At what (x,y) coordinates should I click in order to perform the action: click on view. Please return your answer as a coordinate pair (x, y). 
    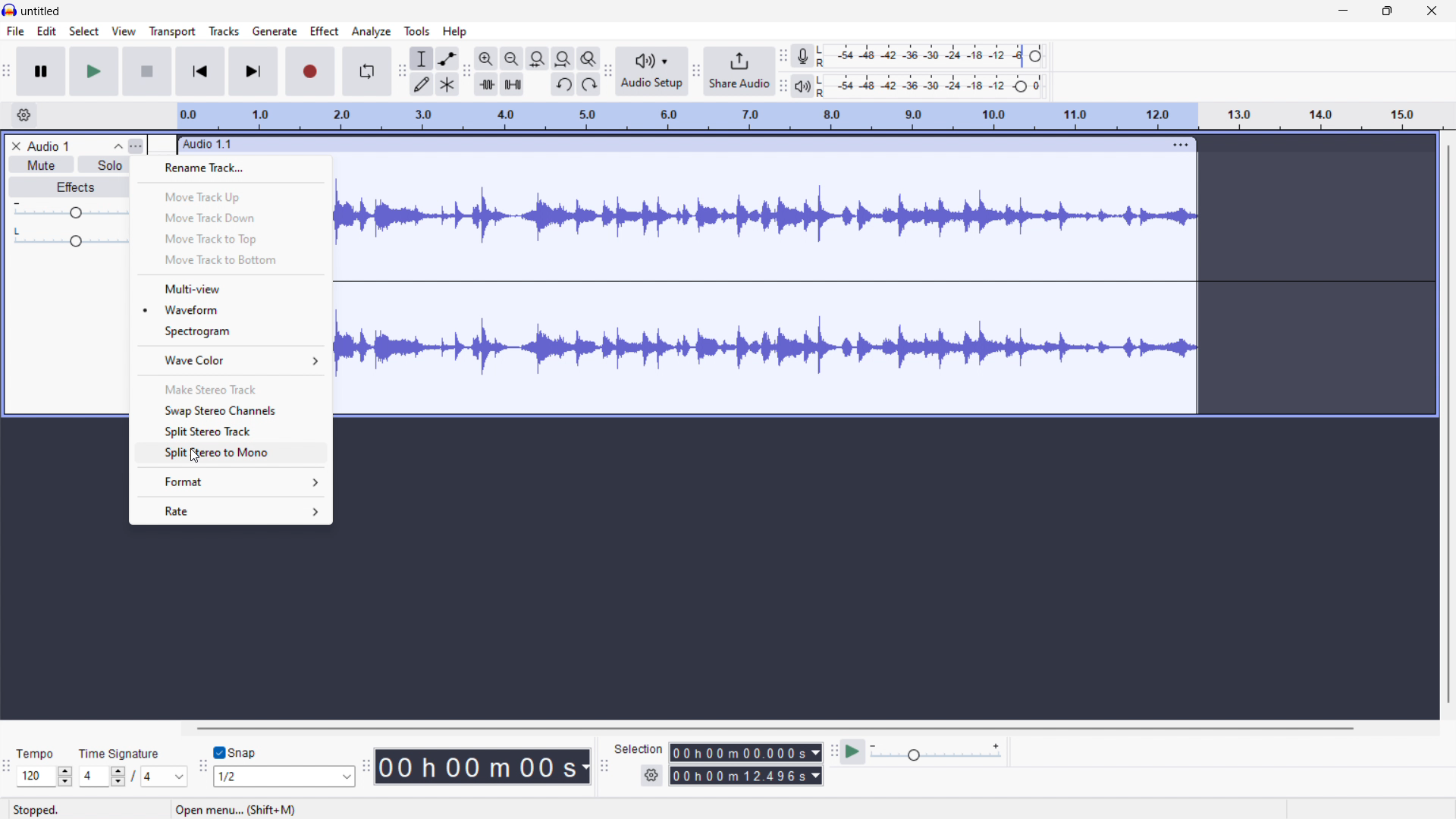
    Looking at the image, I should click on (124, 31).